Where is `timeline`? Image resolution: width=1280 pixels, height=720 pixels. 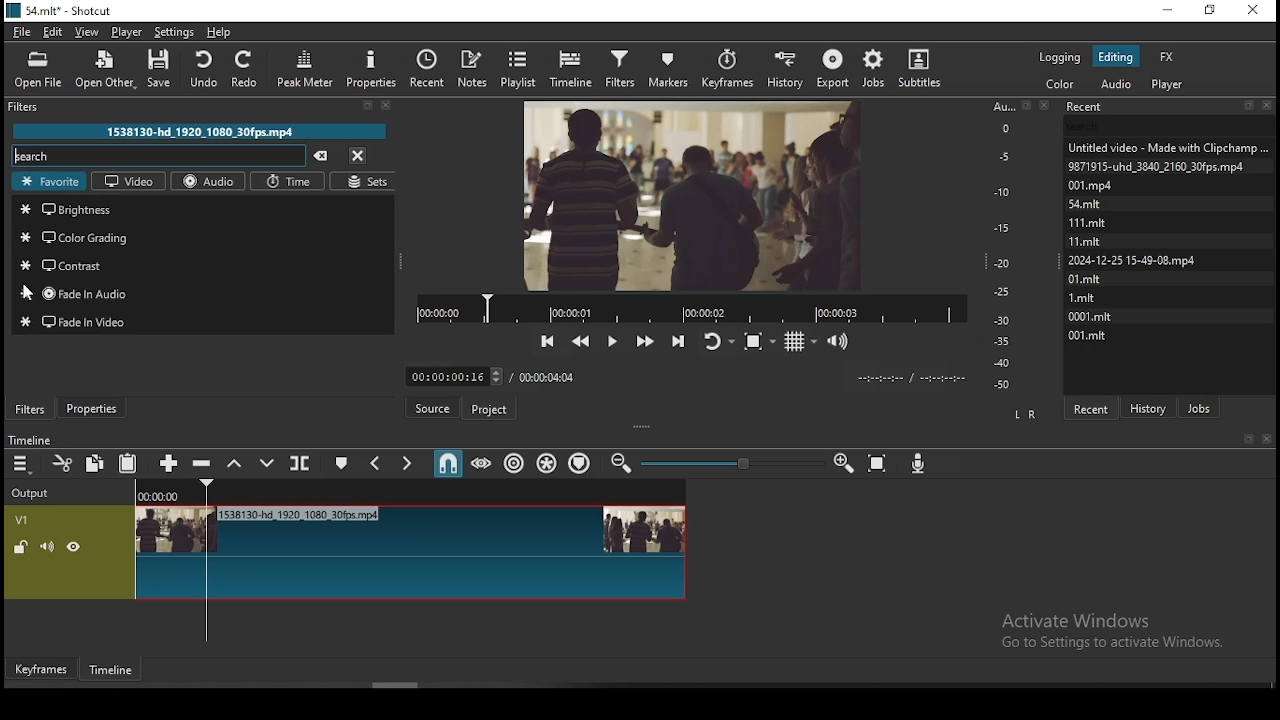
timeline is located at coordinates (574, 66).